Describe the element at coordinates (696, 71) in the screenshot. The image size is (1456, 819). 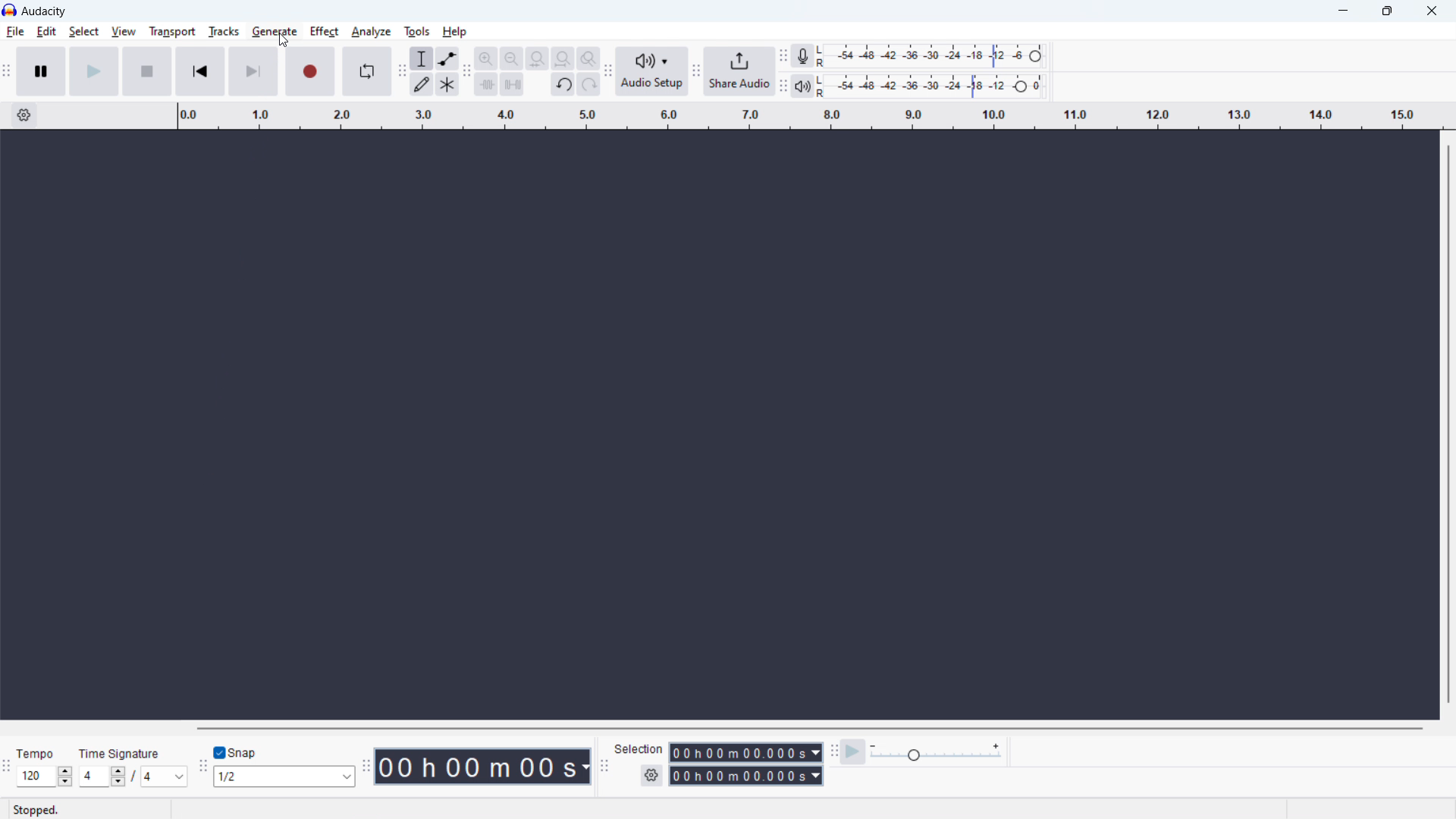
I see `share audio toolbar` at that location.